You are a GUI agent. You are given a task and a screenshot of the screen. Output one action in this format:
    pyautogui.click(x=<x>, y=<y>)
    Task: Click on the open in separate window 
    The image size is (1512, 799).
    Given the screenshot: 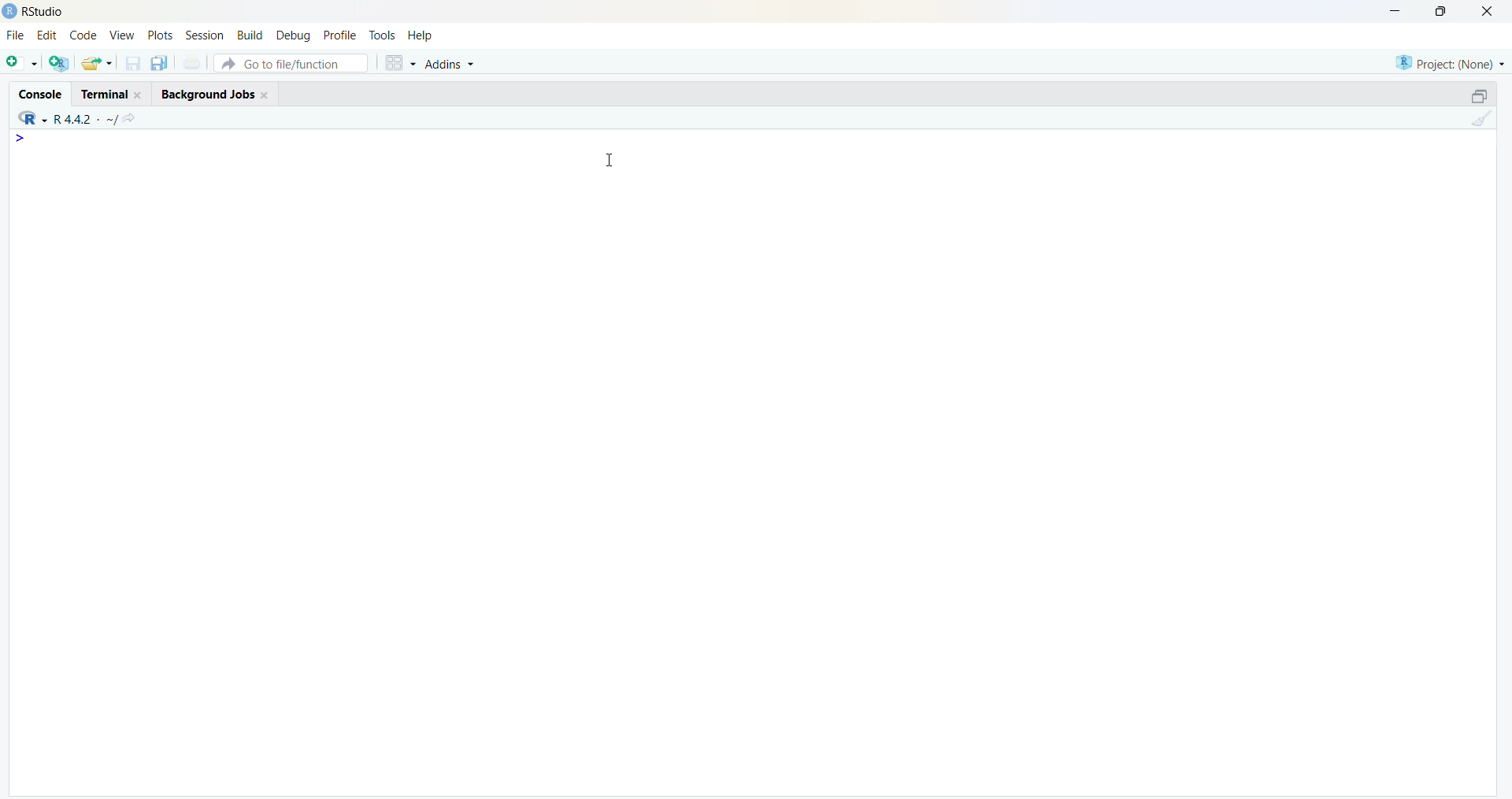 What is the action you would take?
    pyautogui.click(x=1480, y=95)
    